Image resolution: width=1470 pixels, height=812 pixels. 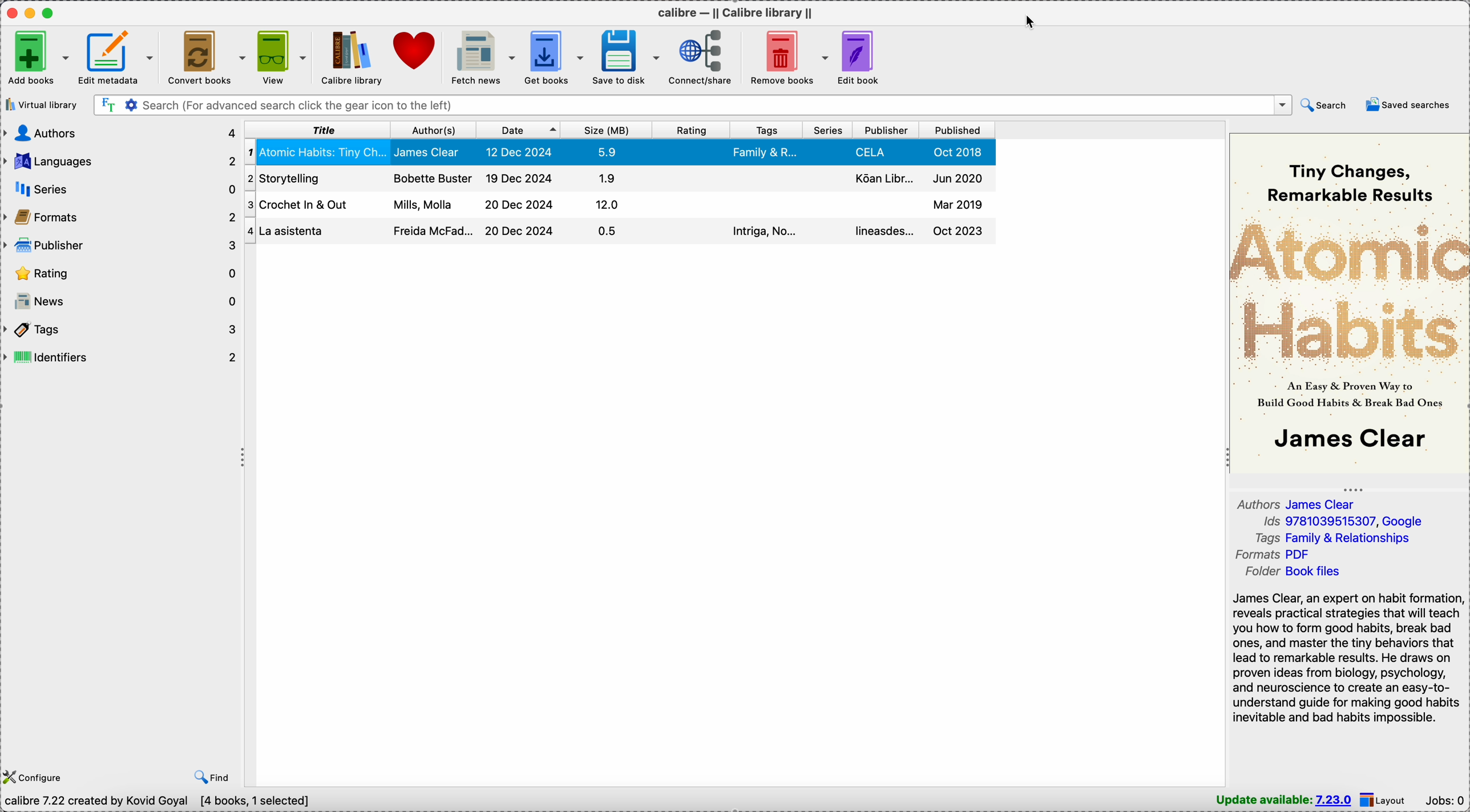 What do you see at coordinates (693, 132) in the screenshot?
I see `rating` at bounding box center [693, 132].